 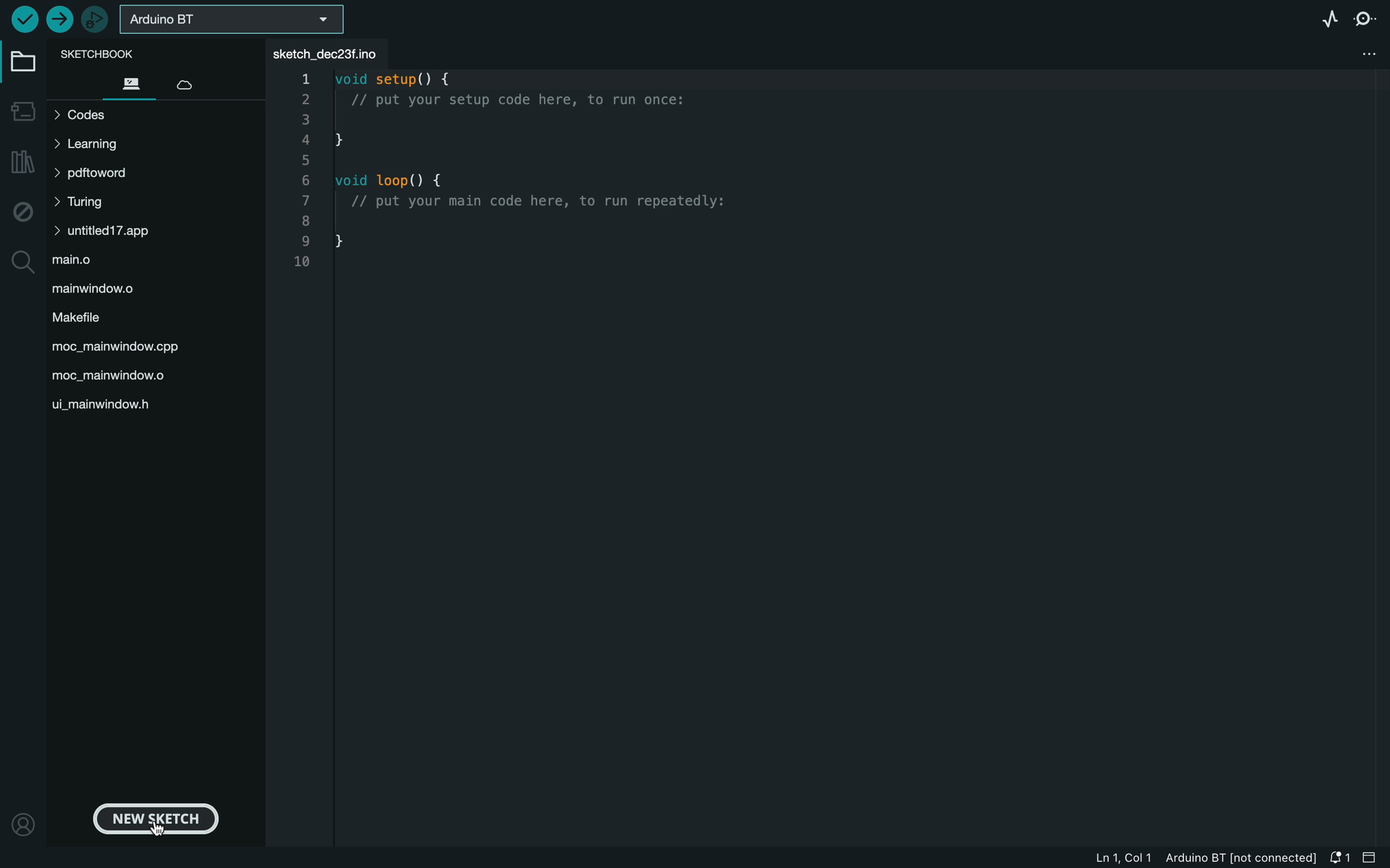 What do you see at coordinates (90, 145) in the screenshot?
I see `learning` at bounding box center [90, 145].